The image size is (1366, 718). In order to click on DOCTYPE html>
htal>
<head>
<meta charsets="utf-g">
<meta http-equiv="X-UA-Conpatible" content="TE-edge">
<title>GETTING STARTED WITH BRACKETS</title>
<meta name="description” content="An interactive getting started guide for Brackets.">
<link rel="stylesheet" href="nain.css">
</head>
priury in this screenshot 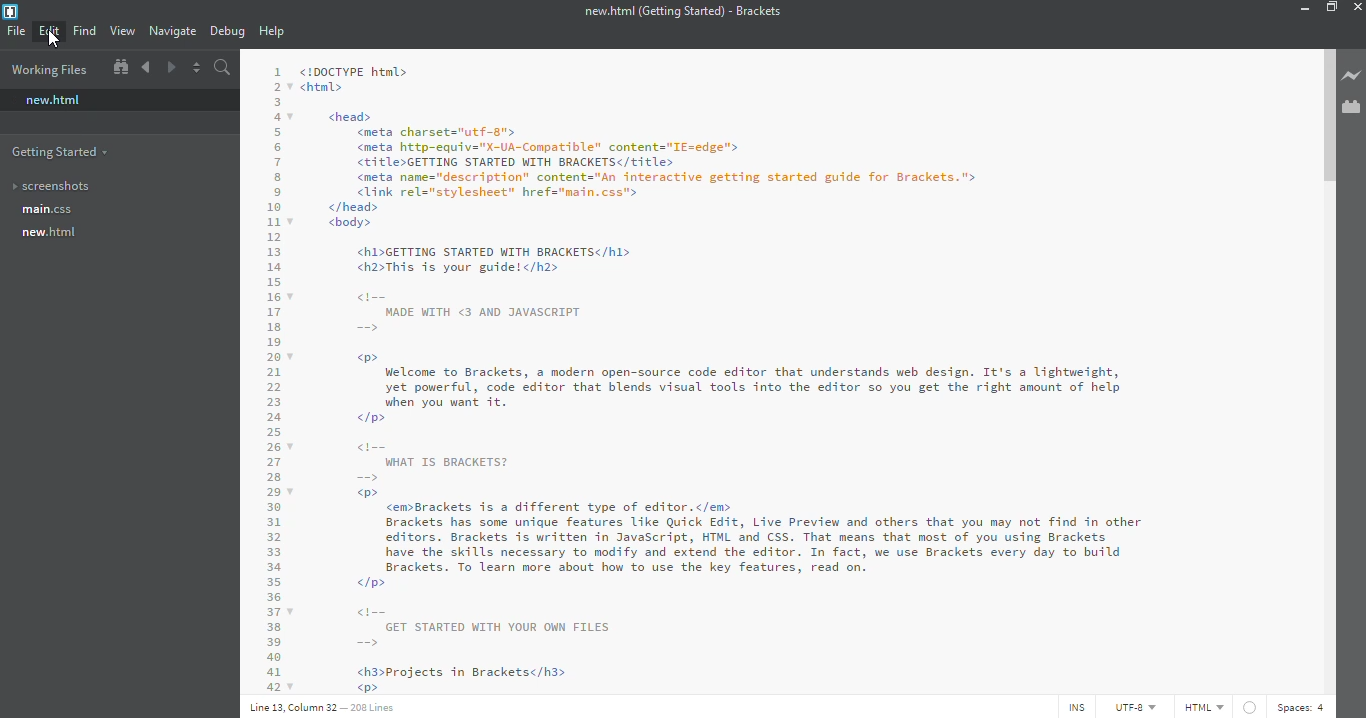, I will do `click(673, 146)`.